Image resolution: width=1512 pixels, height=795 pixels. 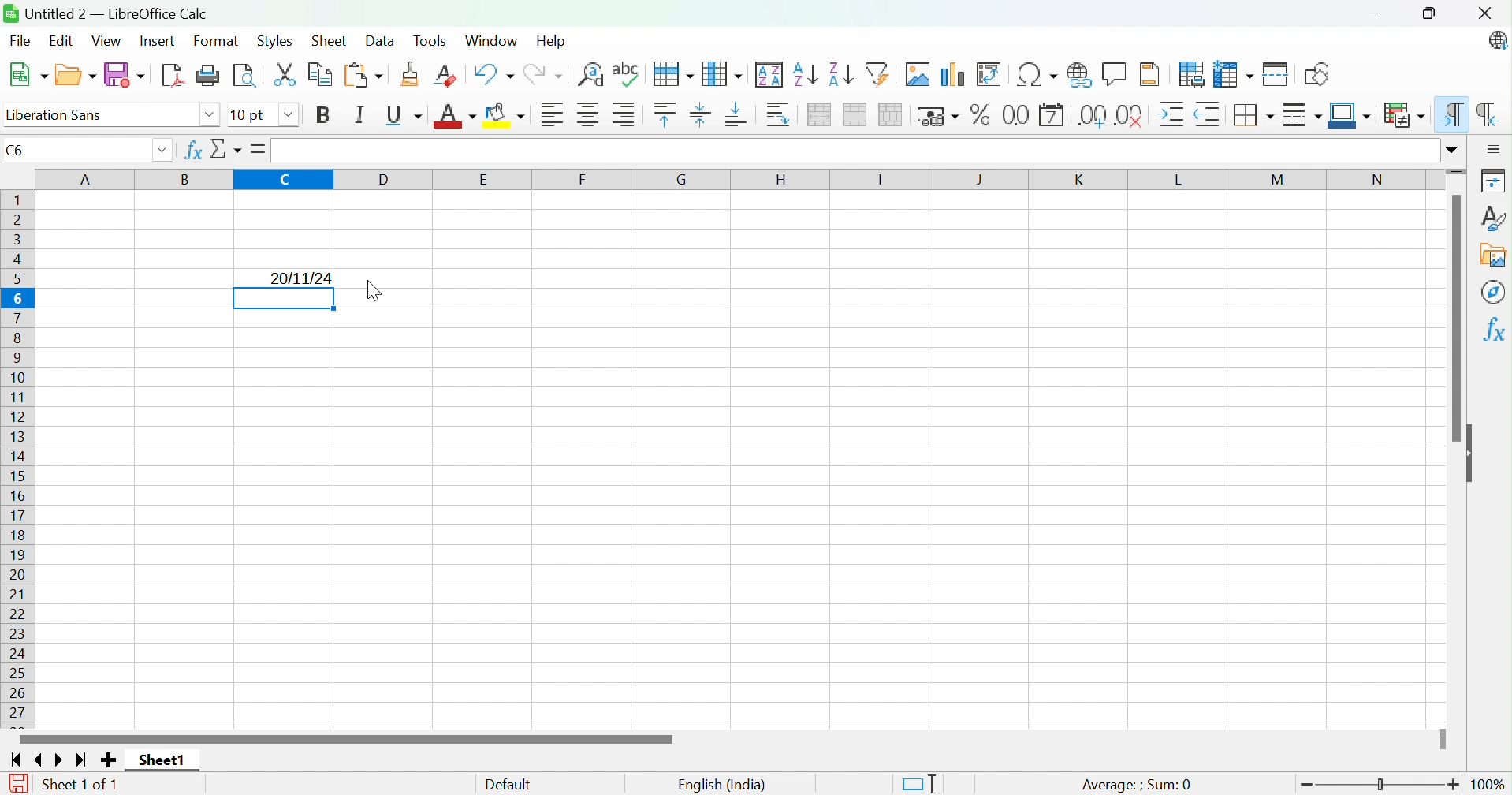 I want to click on Underline, so click(x=407, y=117).